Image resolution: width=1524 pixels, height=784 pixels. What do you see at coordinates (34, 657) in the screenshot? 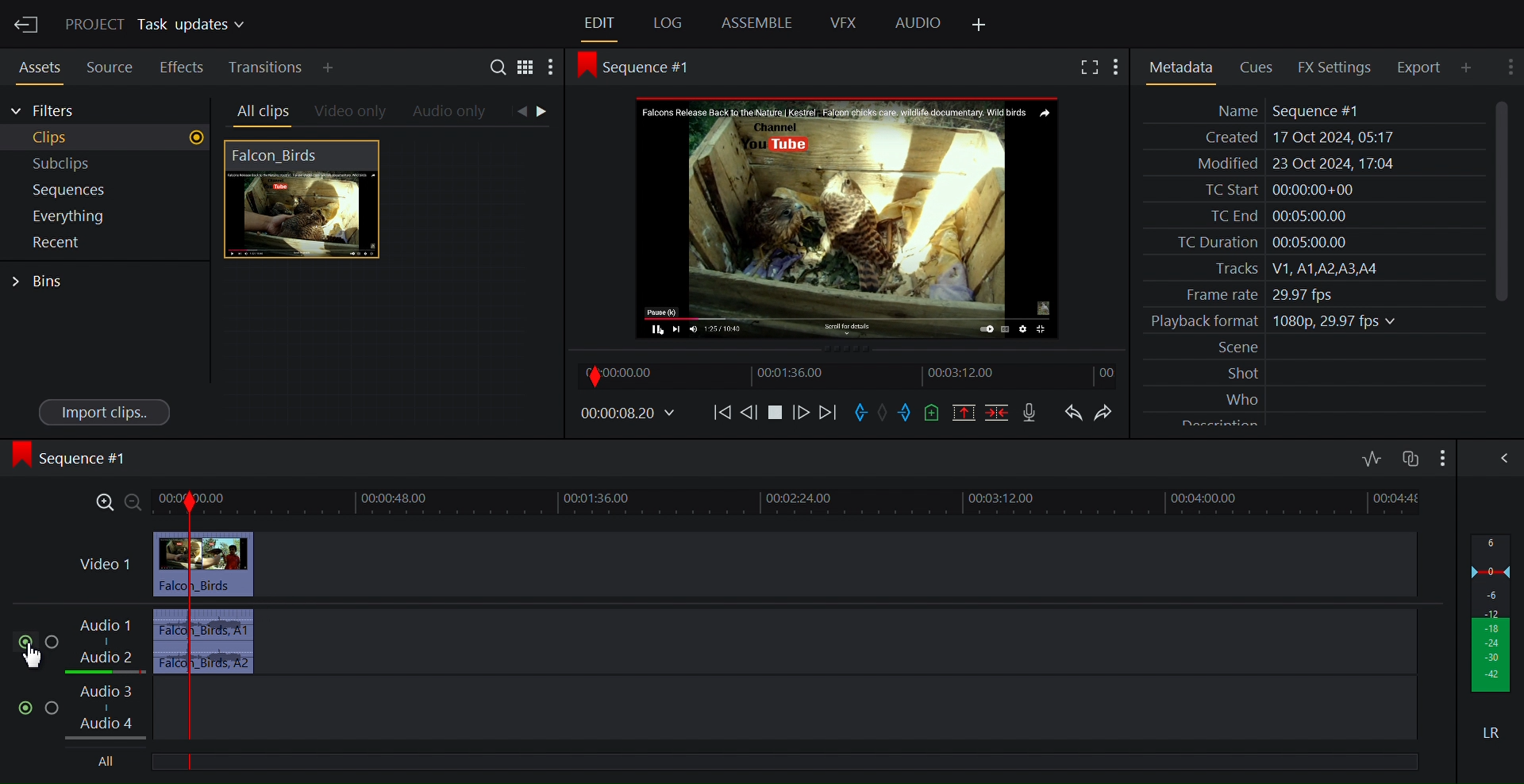
I see `Cursor` at bounding box center [34, 657].